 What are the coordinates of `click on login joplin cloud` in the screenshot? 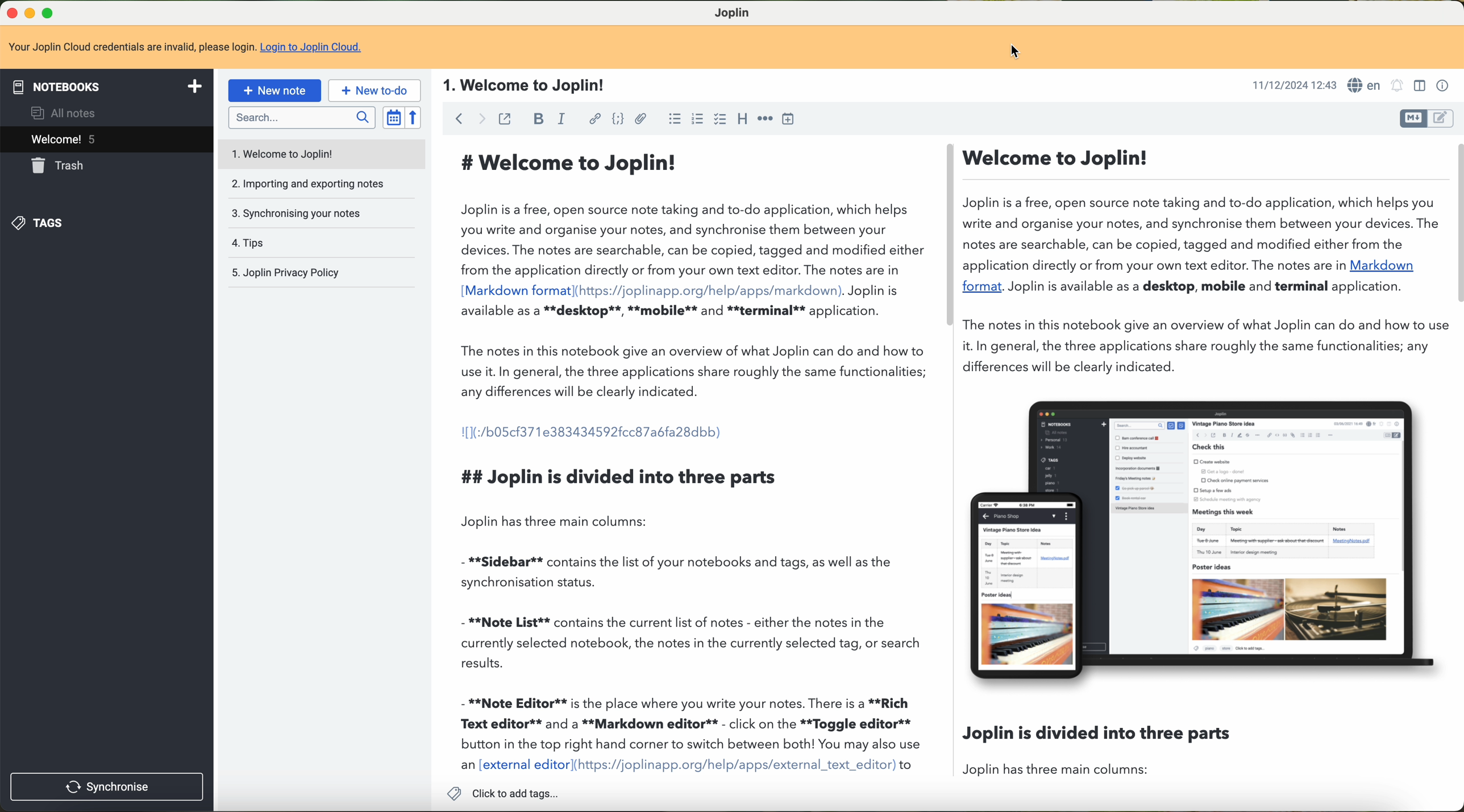 It's located at (185, 48).